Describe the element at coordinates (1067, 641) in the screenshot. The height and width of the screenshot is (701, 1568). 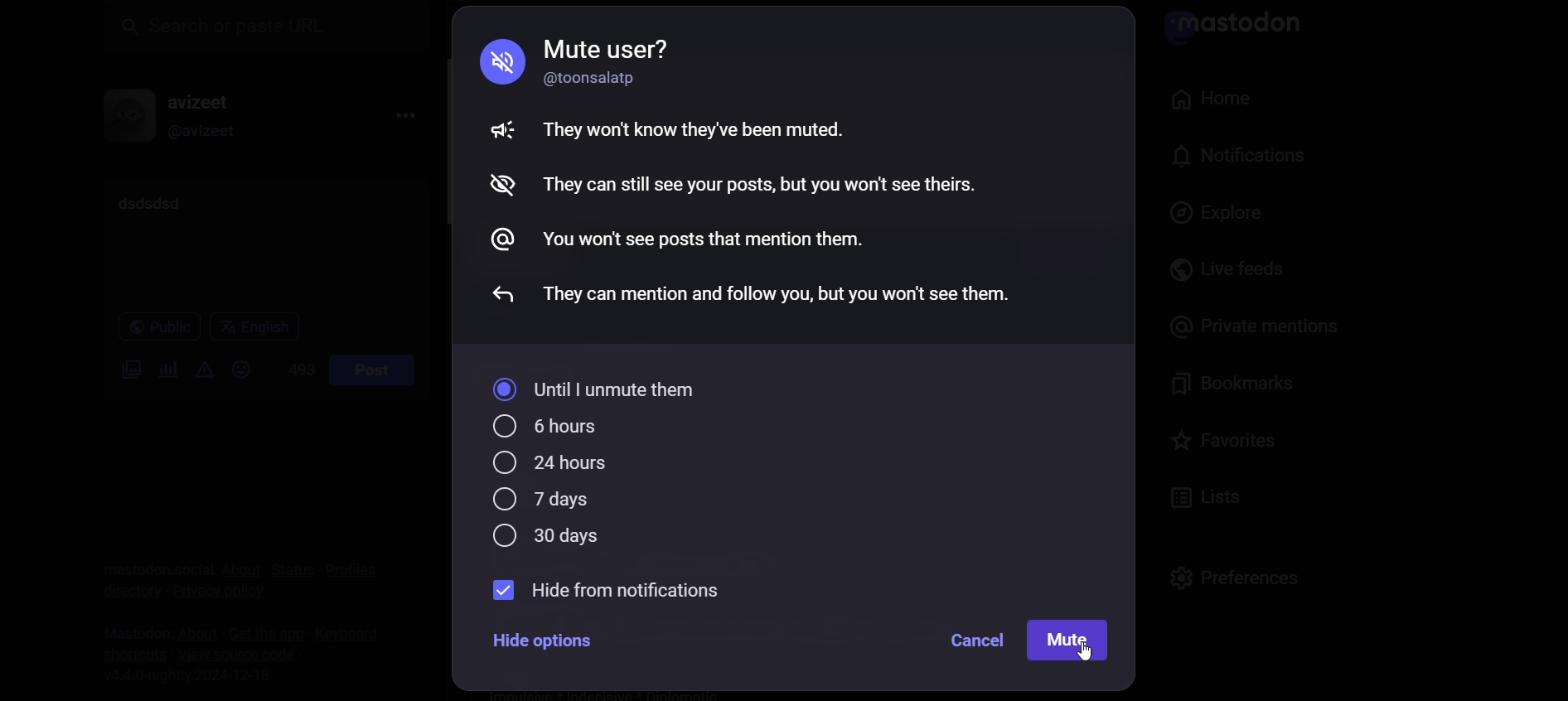
I see `Mute` at that location.